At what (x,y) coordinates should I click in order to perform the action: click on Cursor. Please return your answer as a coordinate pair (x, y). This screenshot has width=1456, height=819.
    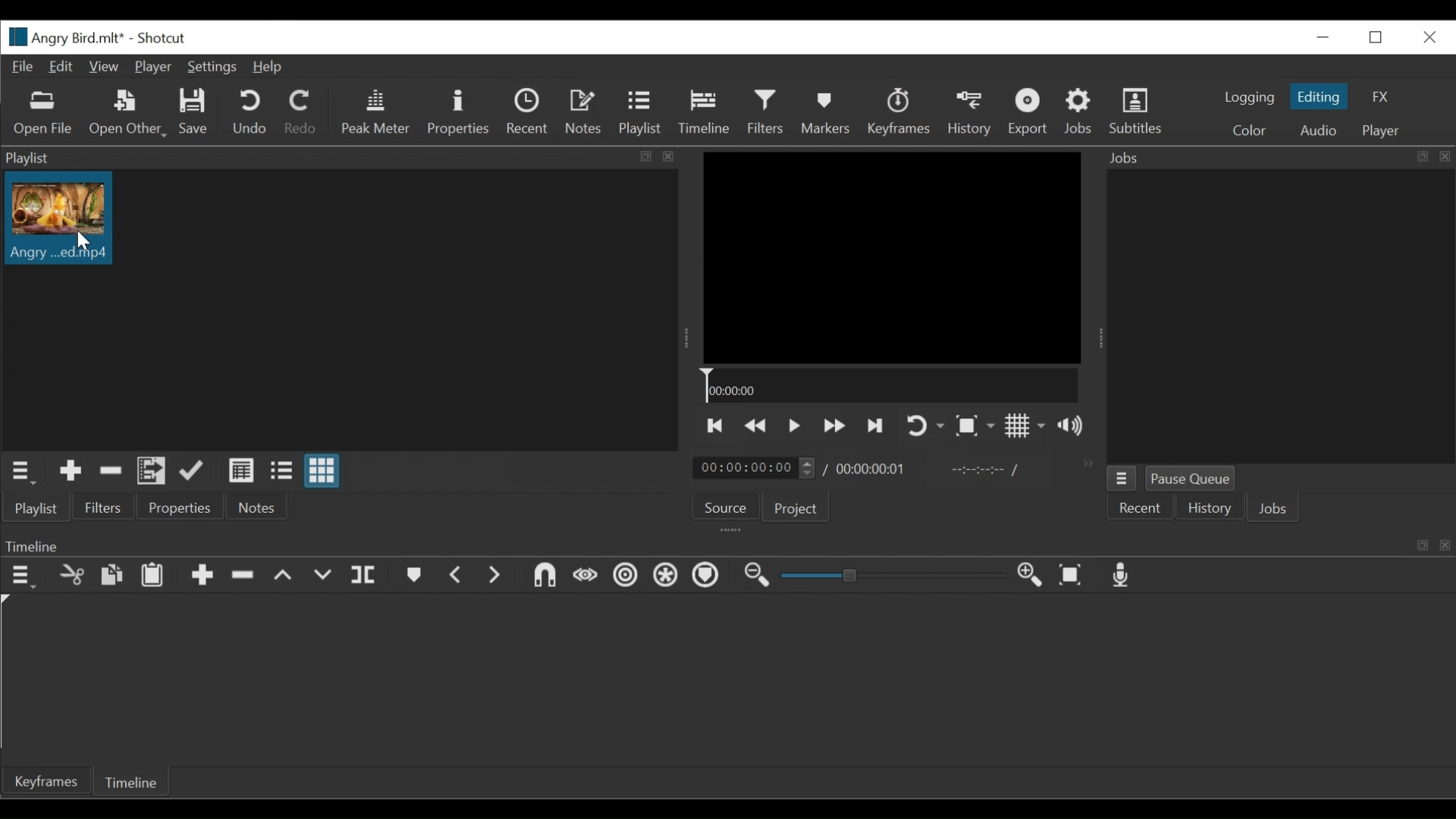
    Looking at the image, I should click on (84, 240).